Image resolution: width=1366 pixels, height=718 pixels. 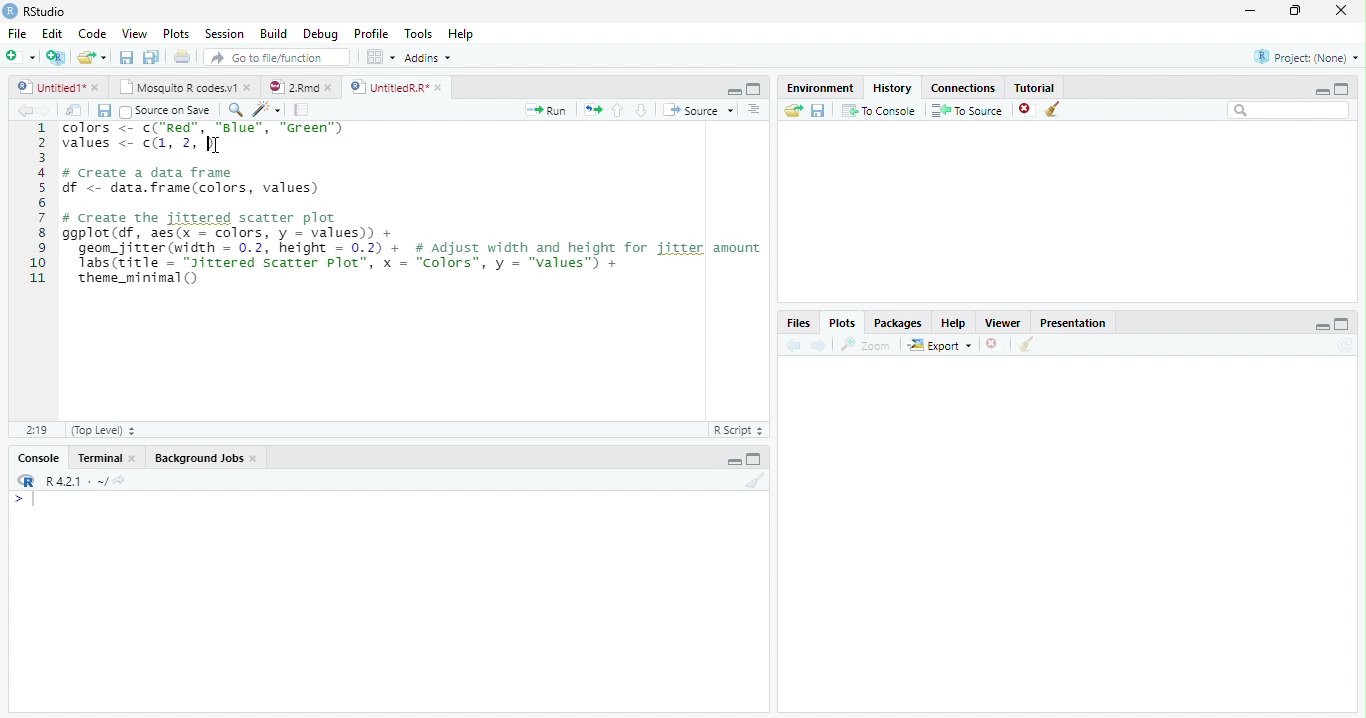 I want to click on Source, so click(x=698, y=110).